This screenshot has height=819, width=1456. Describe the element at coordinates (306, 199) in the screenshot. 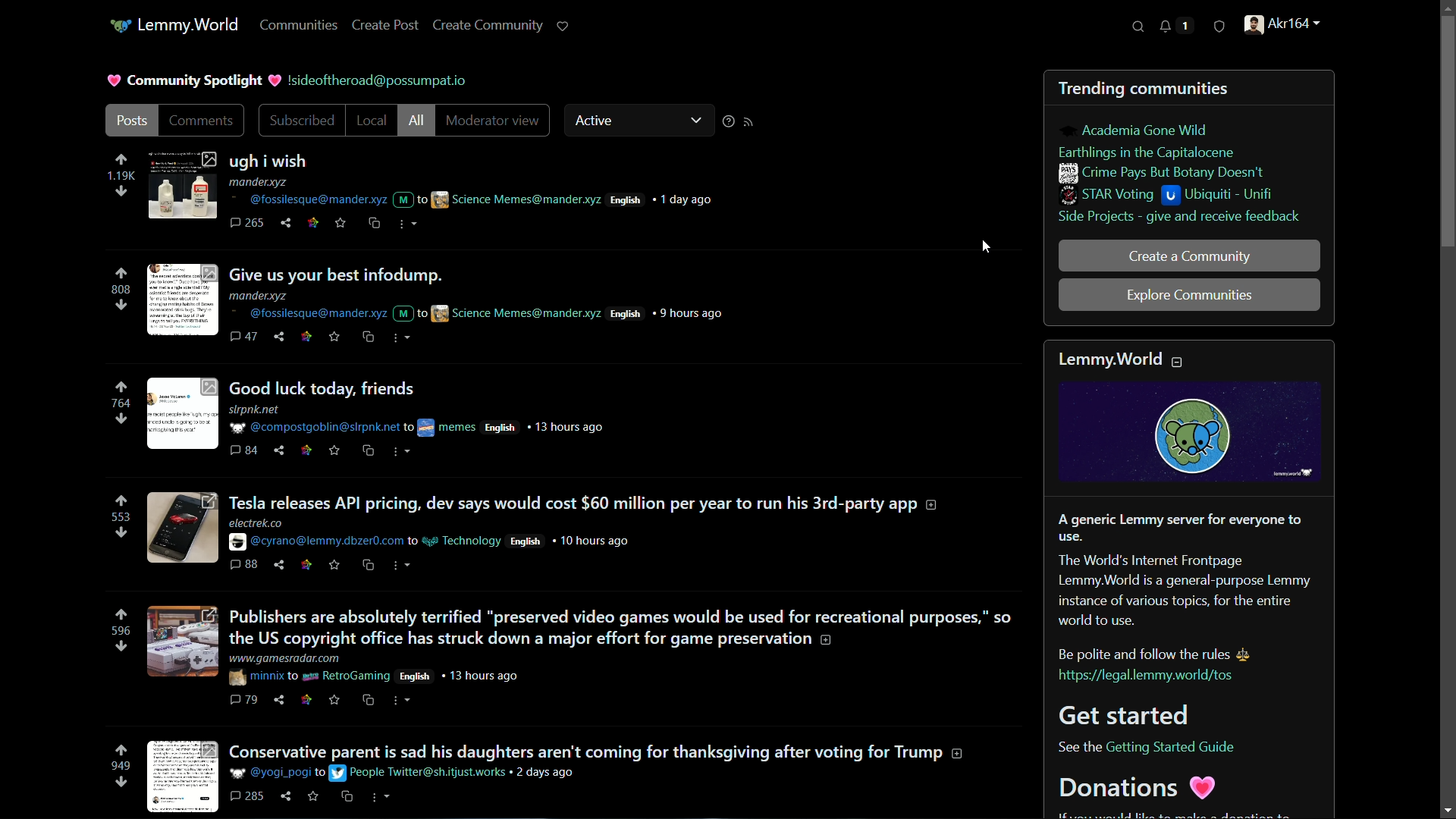

I see `@fossilesque@mander.xyz` at that location.